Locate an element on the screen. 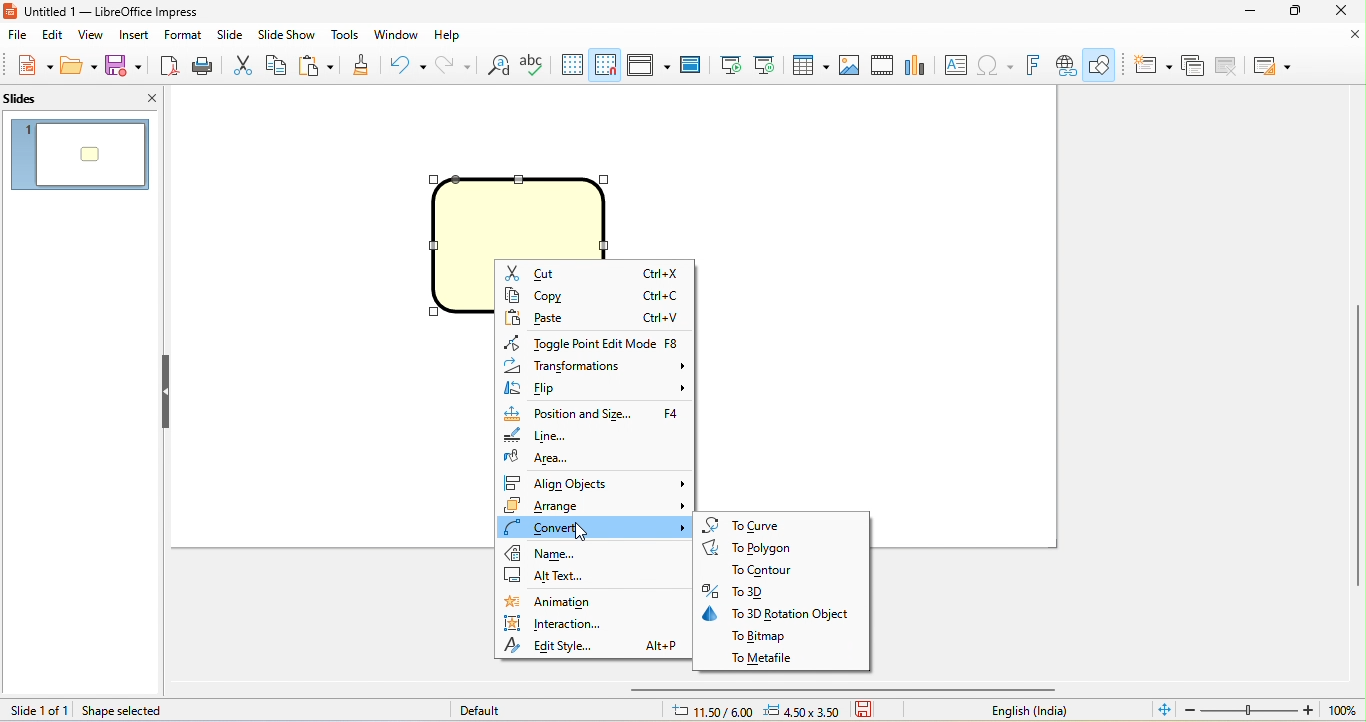 Image resolution: width=1366 pixels, height=722 pixels. duplicate slide is located at coordinates (1195, 65).